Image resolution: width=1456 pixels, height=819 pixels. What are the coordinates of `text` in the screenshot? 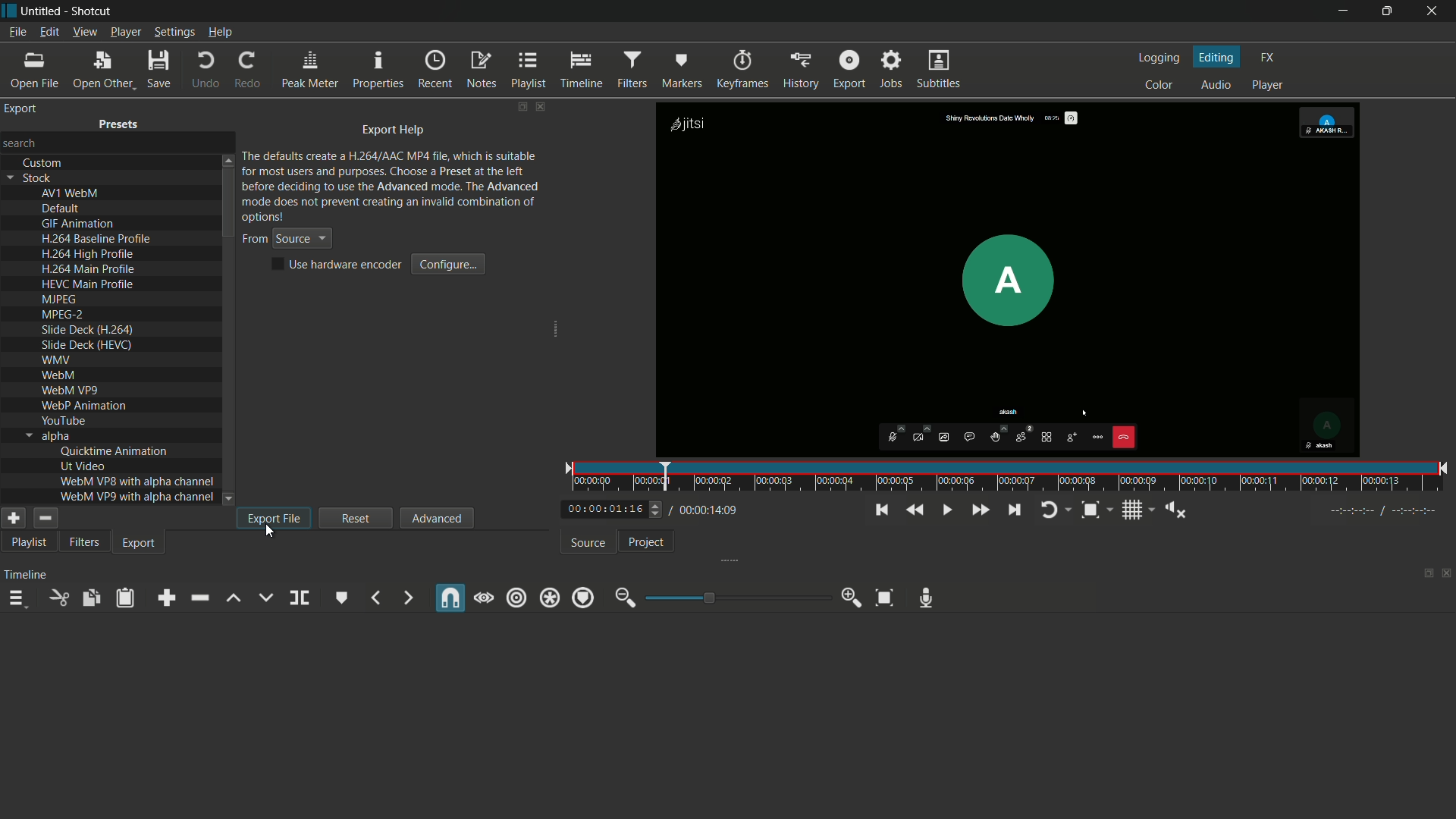 It's located at (138, 496).